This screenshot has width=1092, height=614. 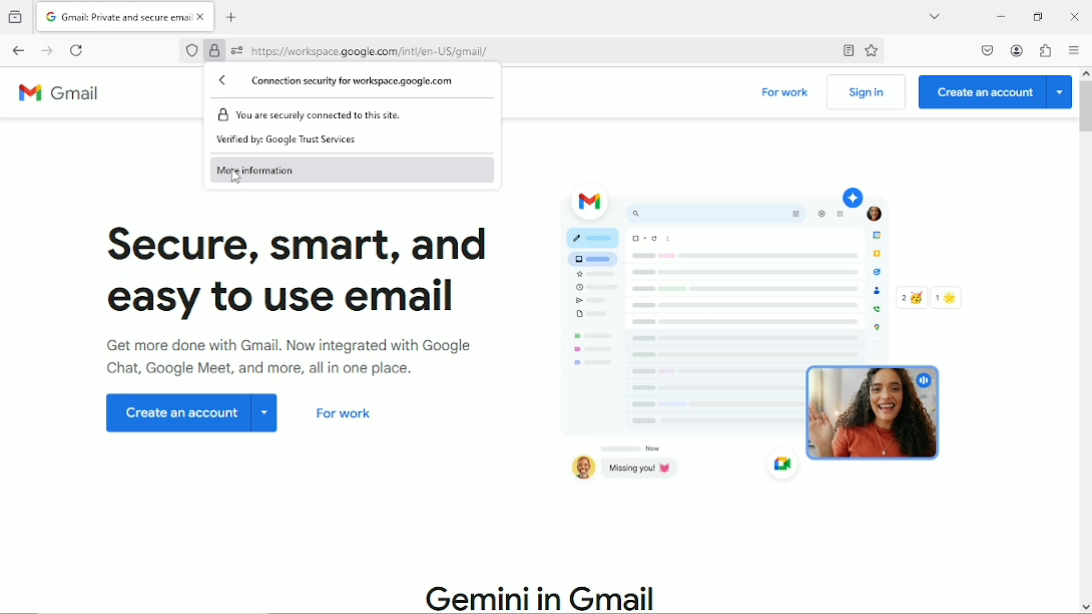 What do you see at coordinates (301, 269) in the screenshot?
I see `Secure, smart and easy to use email` at bounding box center [301, 269].